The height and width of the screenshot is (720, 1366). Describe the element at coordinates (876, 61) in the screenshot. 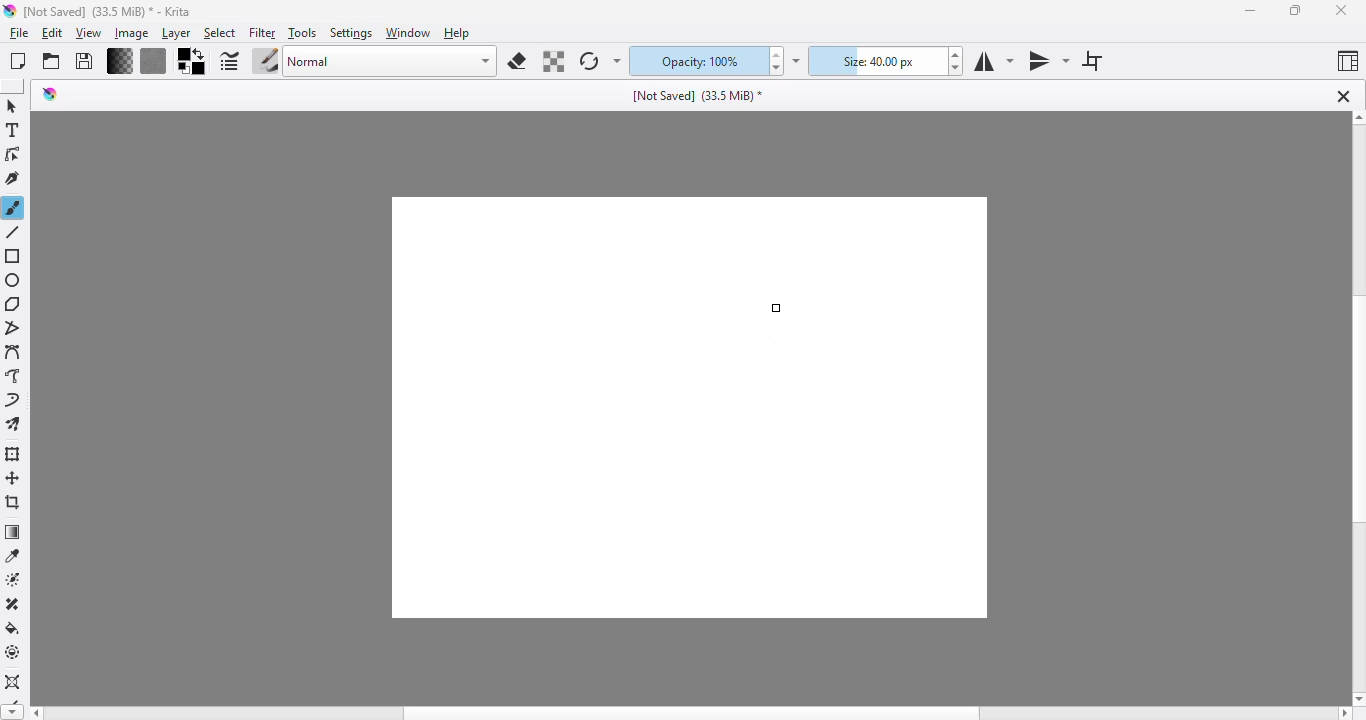

I see `size` at that location.